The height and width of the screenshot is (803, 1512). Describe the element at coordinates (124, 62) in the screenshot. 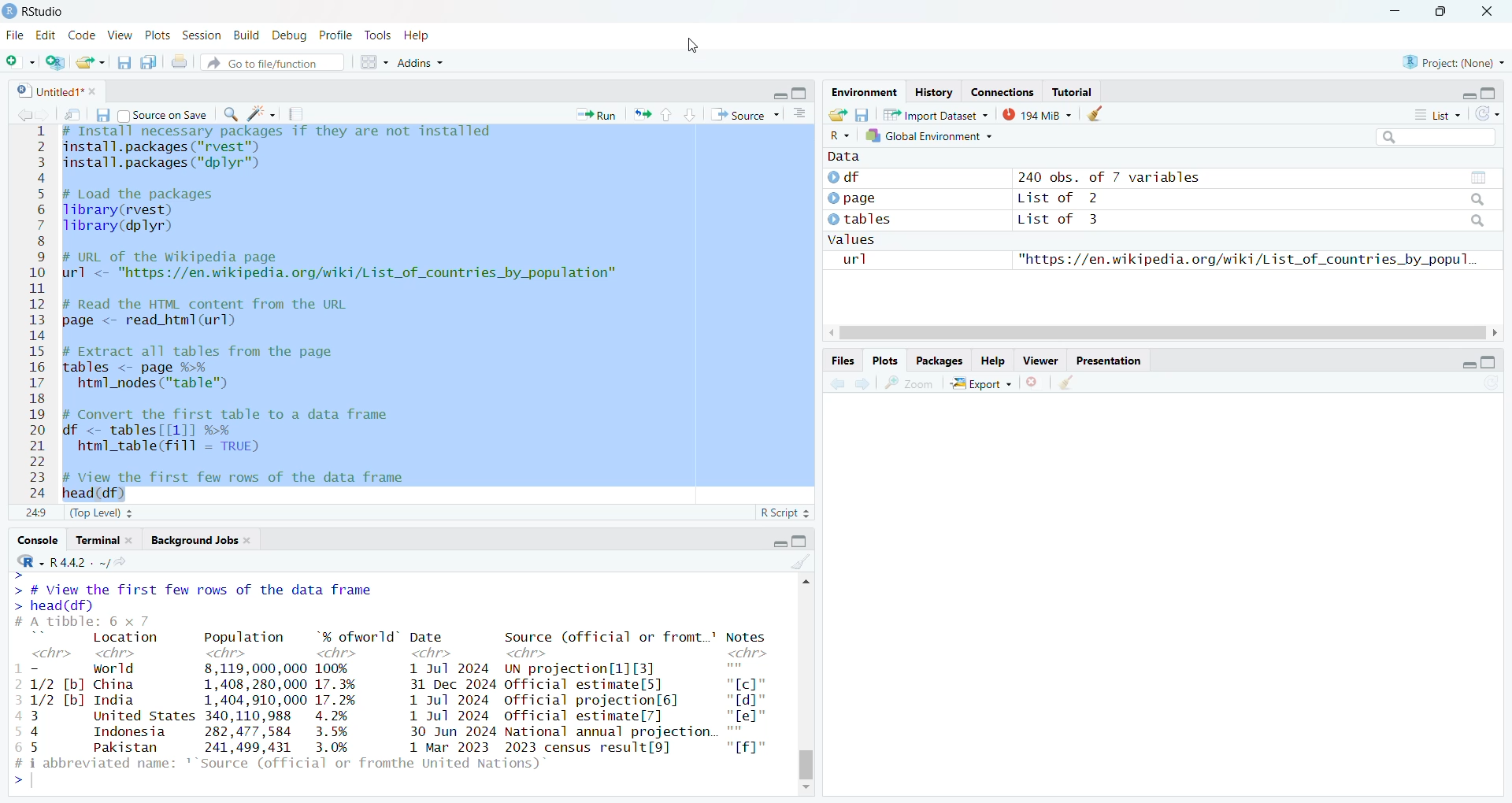

I see `save` at that location.